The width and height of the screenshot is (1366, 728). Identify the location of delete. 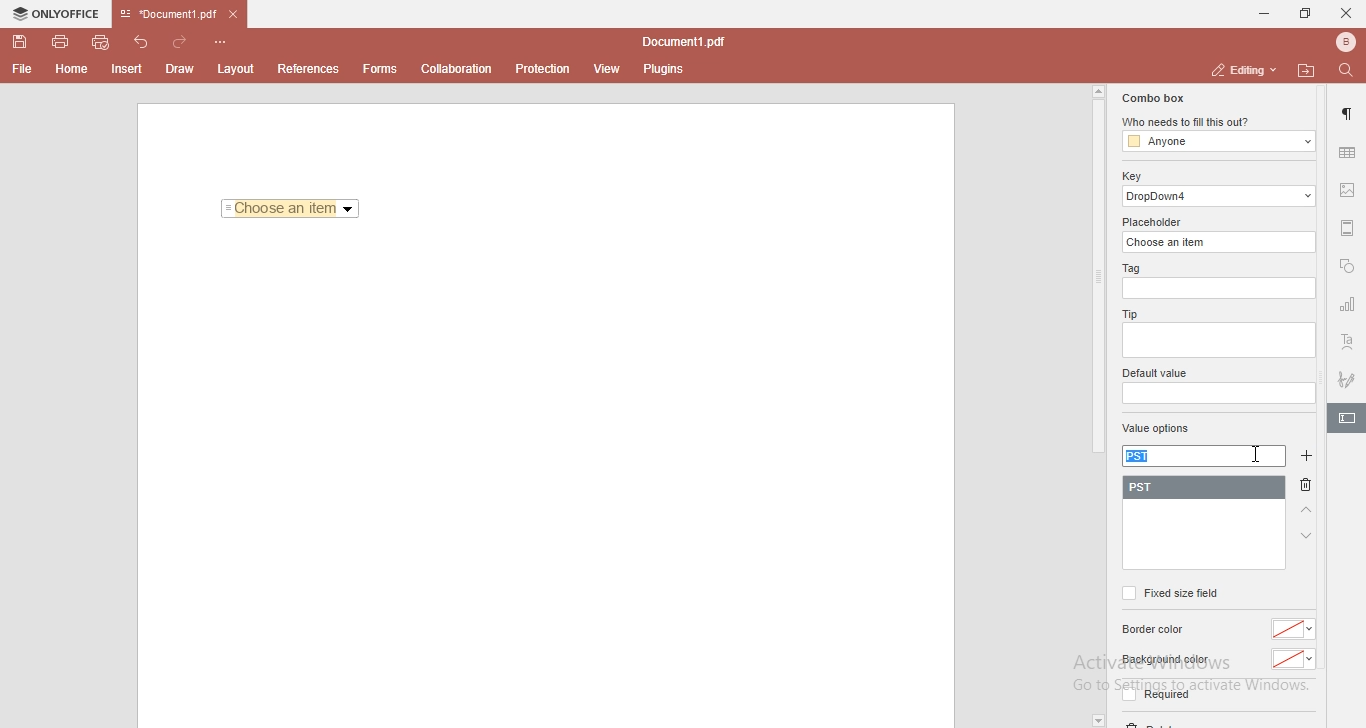
(1310, 488).